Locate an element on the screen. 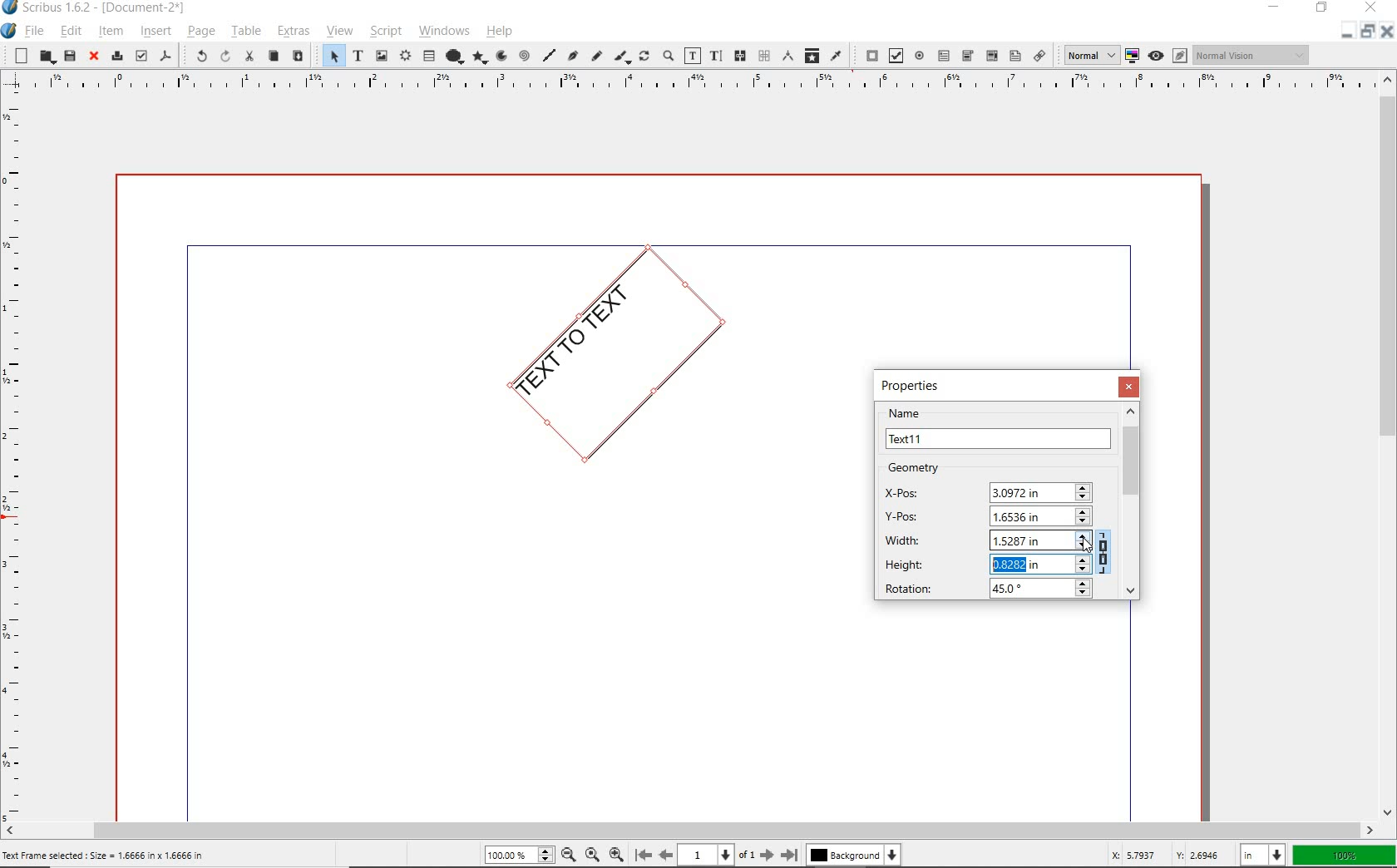  save as pdf is located at coordinates (165, 57).